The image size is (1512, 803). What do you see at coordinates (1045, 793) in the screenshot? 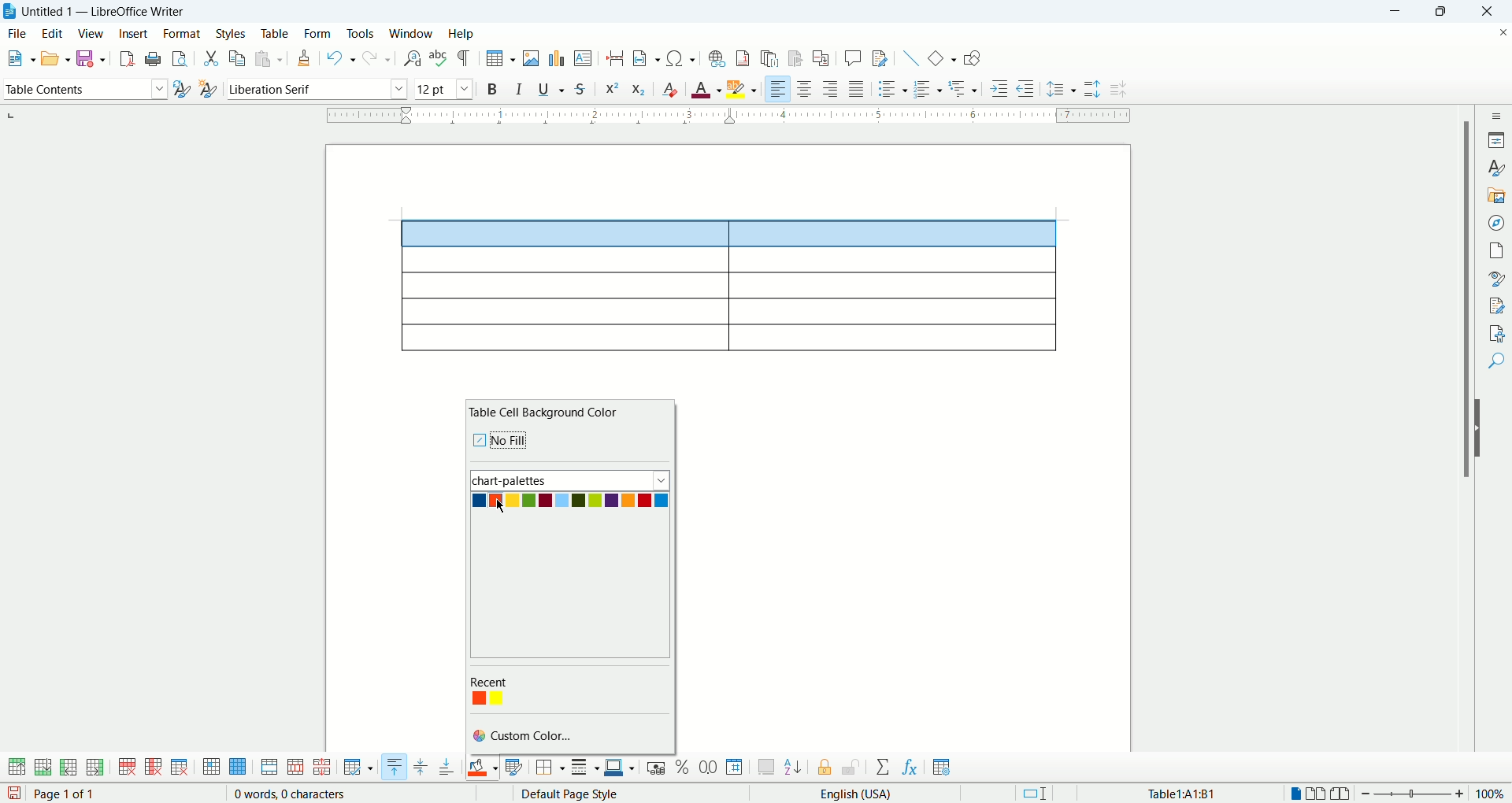
I see `standar selection` at bounding box center [1045, 793].